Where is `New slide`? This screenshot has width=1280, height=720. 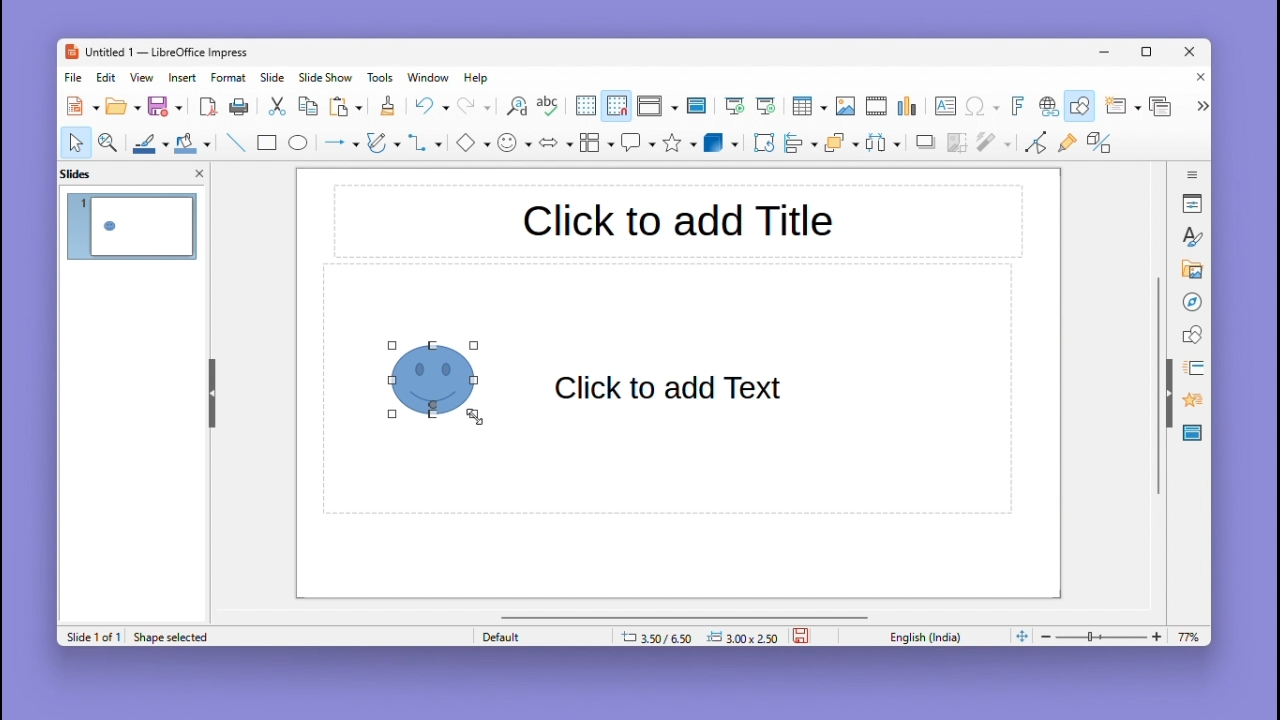 New slide is located at coordinates (1122, 107).